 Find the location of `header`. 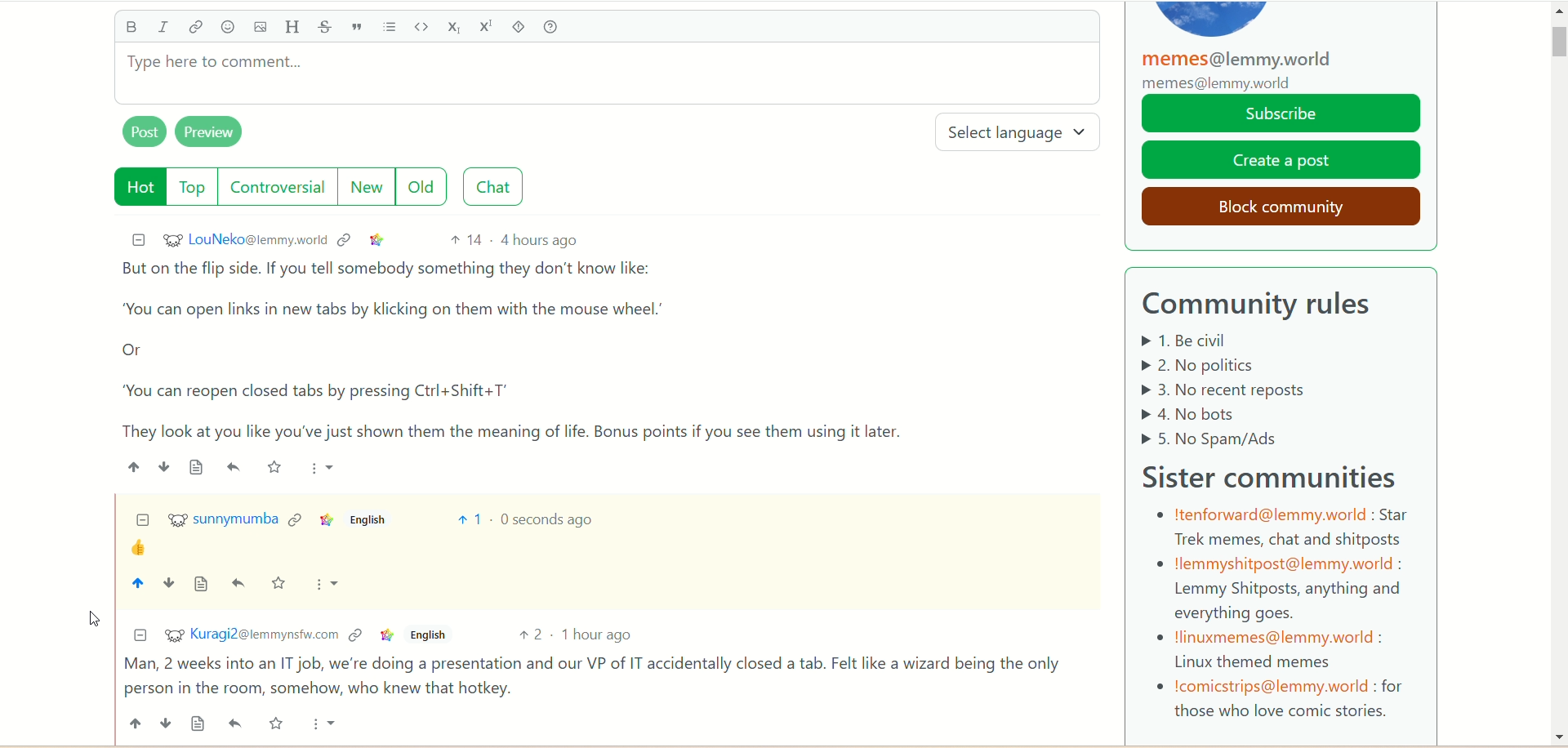

header is located at coordinates (292, 27).